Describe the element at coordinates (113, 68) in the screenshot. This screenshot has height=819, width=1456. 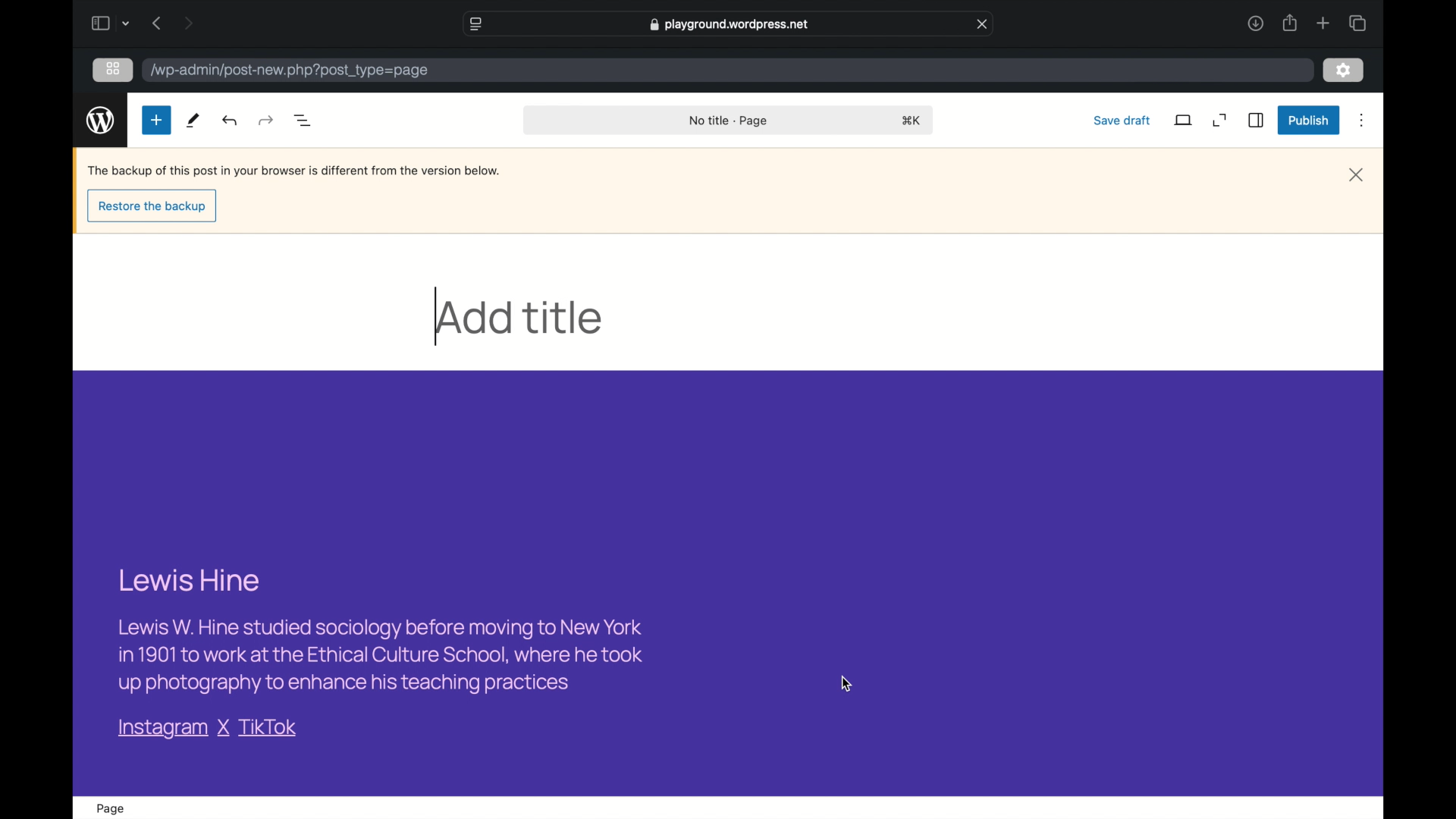
I see `grid view` at that location.